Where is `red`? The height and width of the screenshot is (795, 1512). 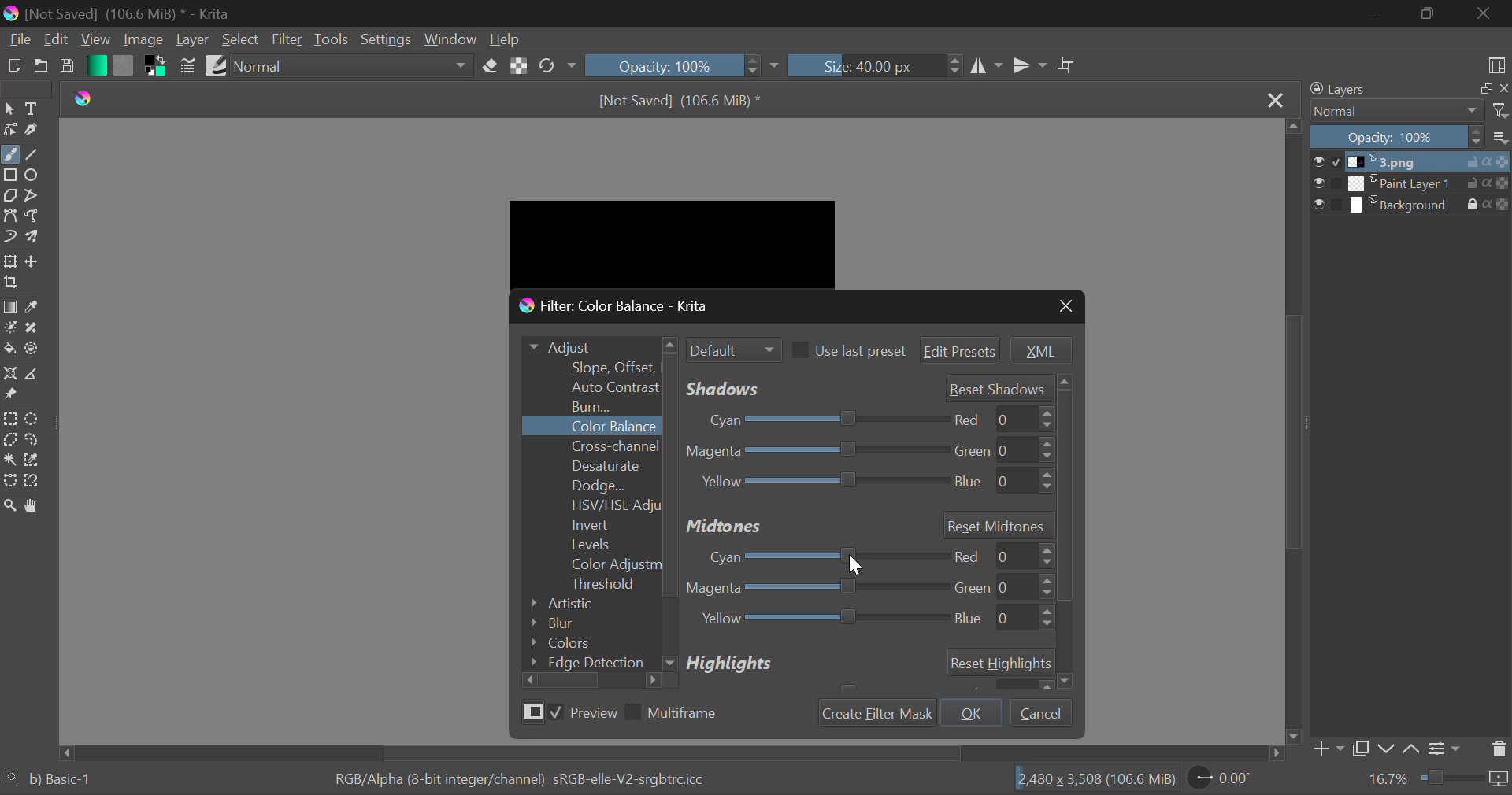 red is located at coordinates (1003, 556).